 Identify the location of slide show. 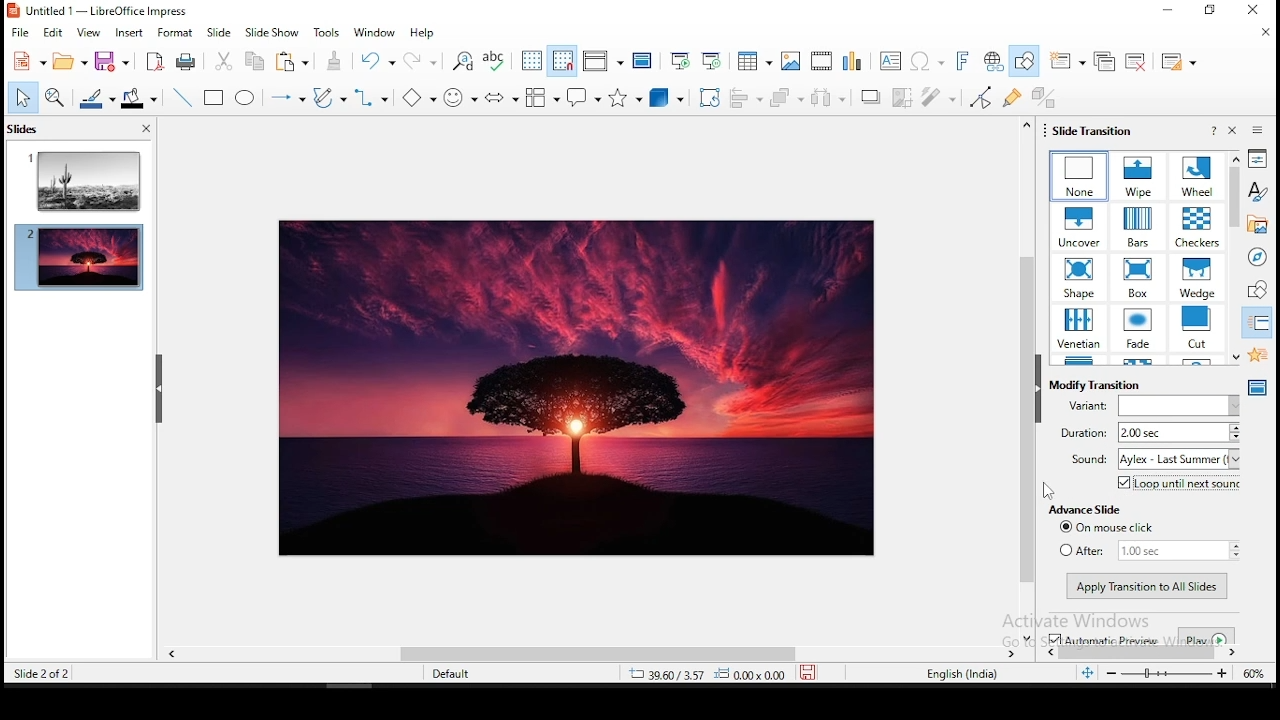
(275, 33).